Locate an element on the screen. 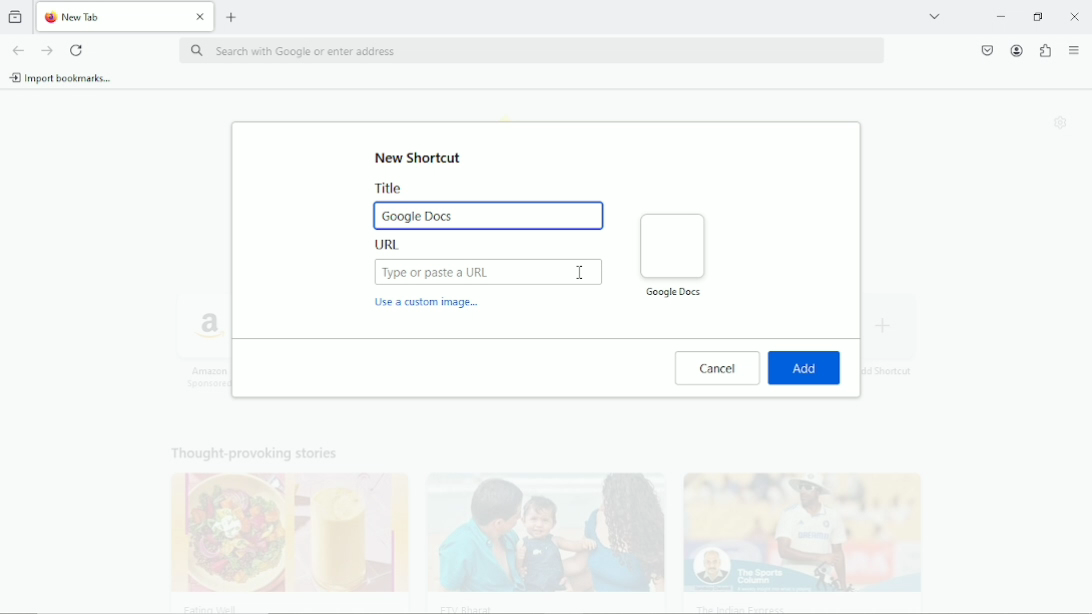 This screenshot has height=614, width=1092. Thought provoking stories is located at coordinates (534, 523).